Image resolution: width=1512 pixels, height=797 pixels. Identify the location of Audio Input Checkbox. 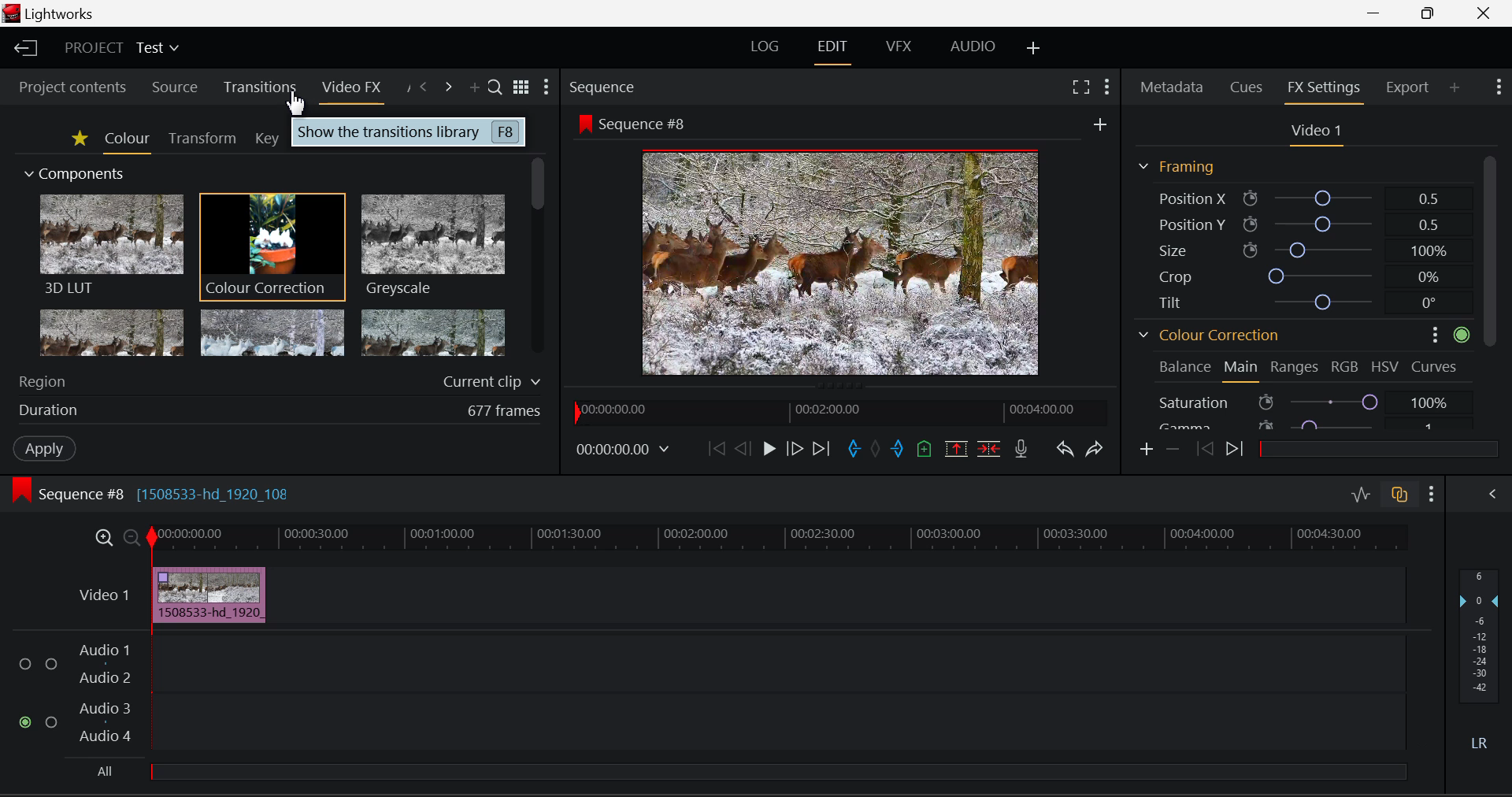
(51, 662).